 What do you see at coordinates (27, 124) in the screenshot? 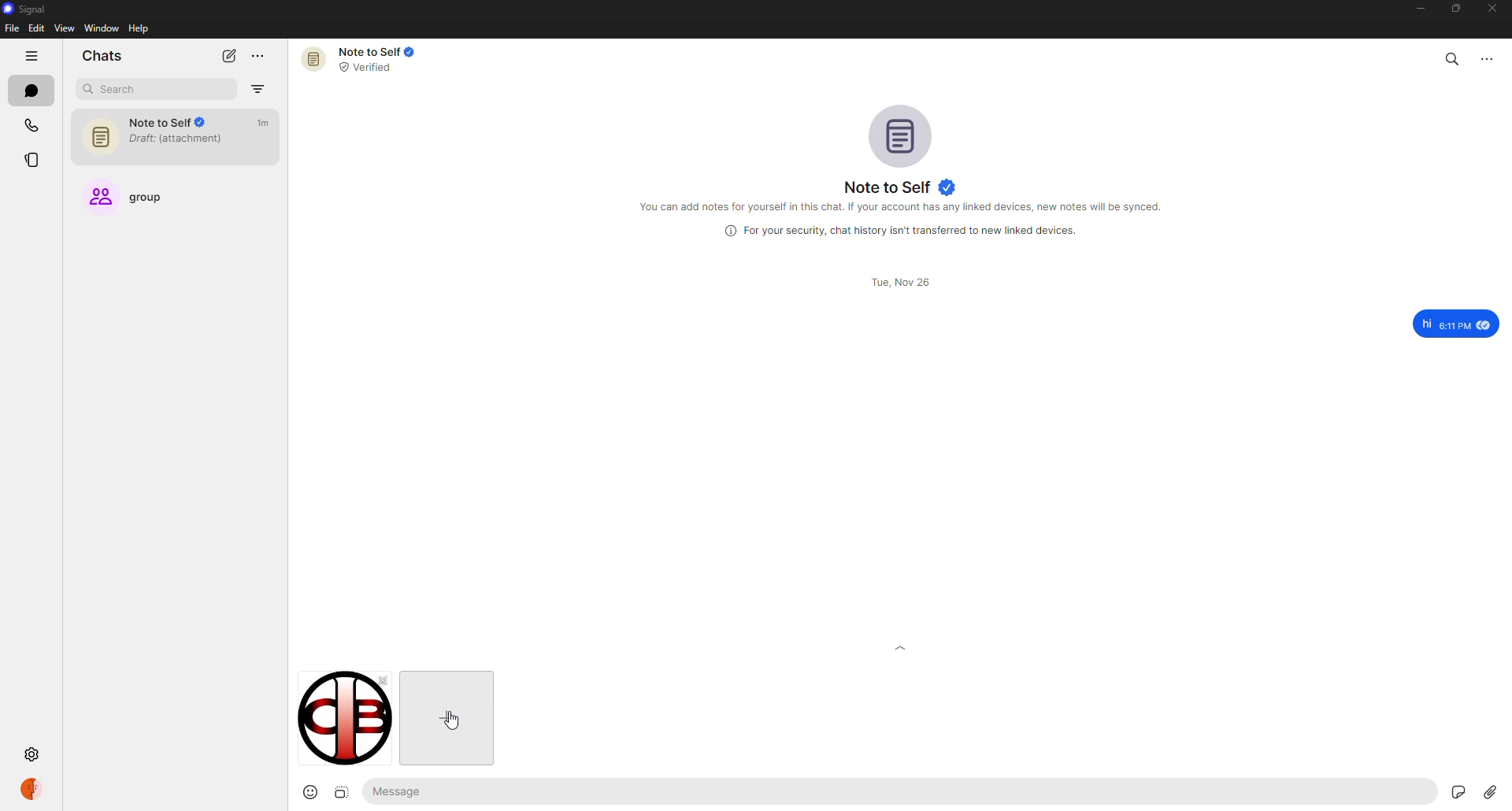
I see `calls` at bounding box center [27, 124].